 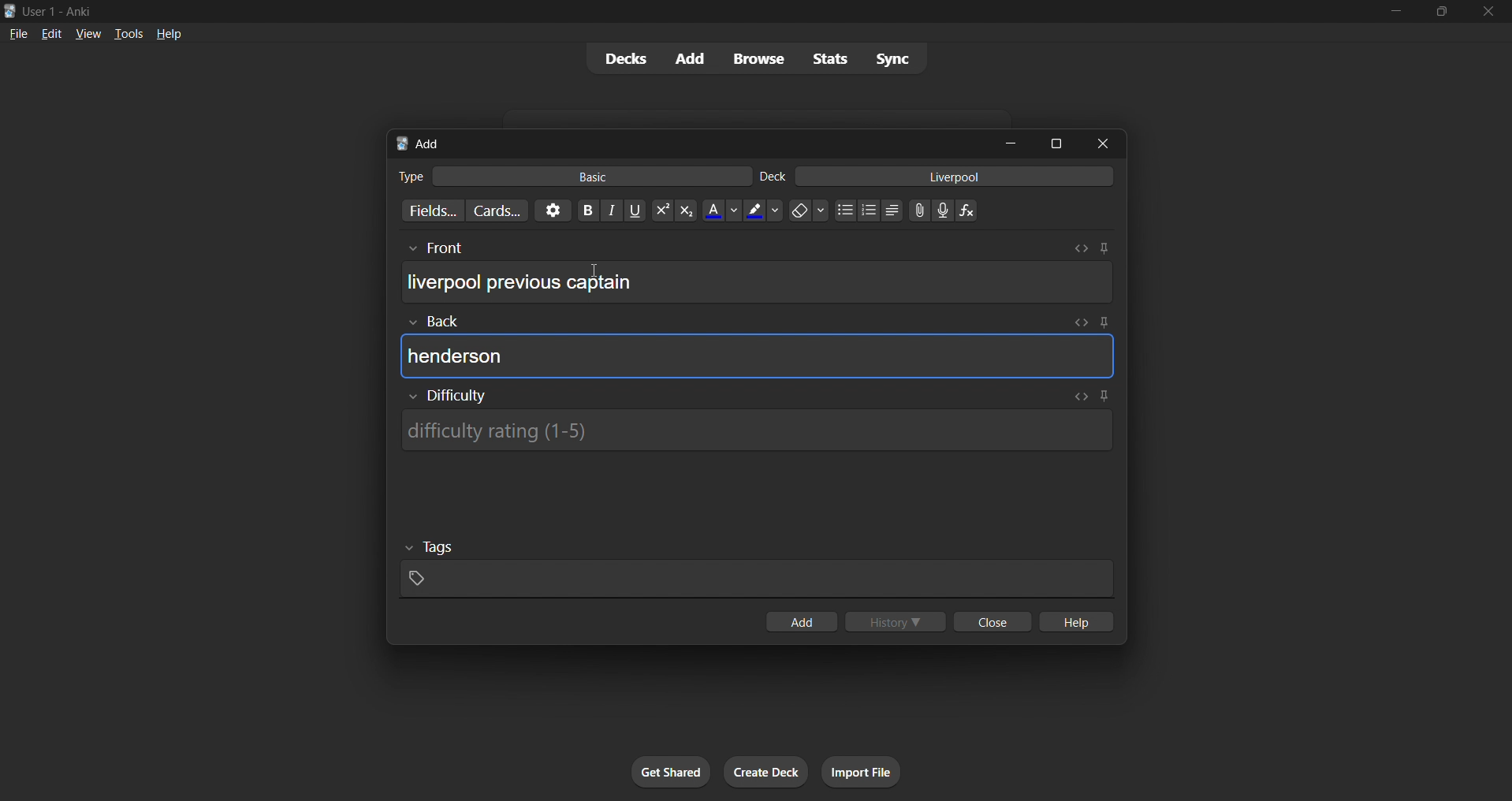 What do you see at coordinates (1108, 143) in the screenshot?
I see `close` at bounding box center [1108, 143].